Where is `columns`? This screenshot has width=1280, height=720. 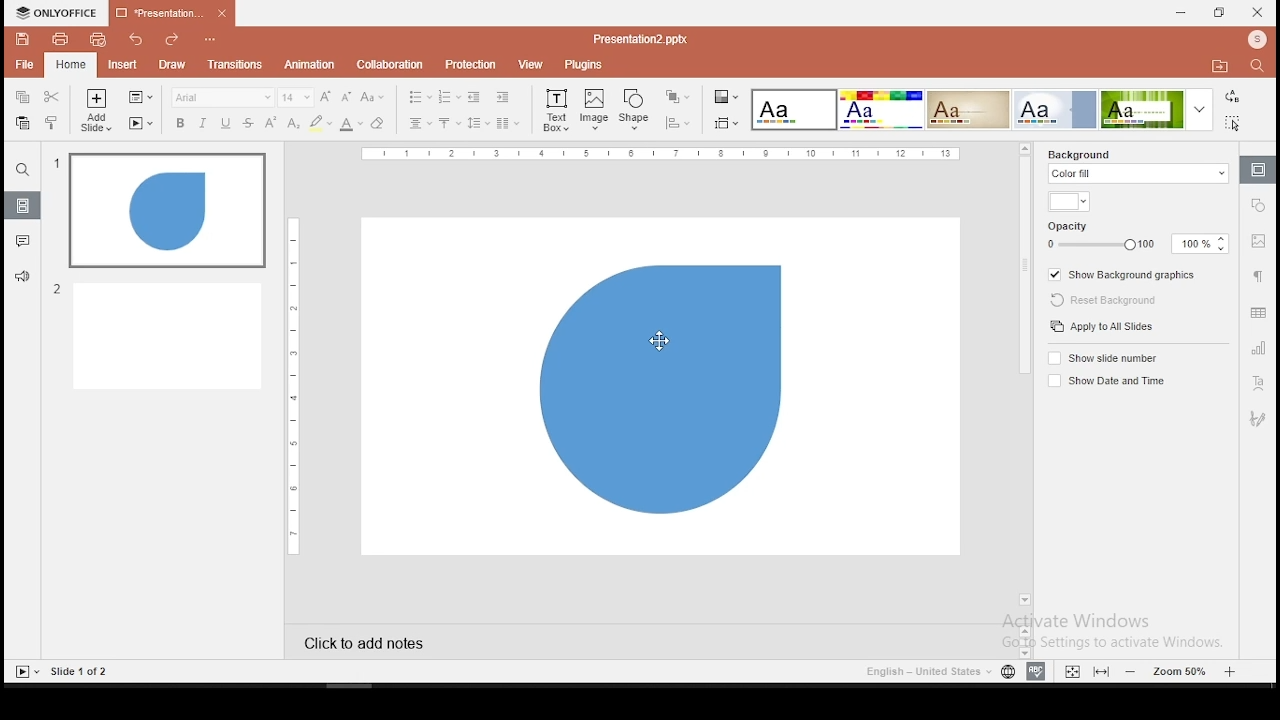
columns is located at coordinates (504, 123).